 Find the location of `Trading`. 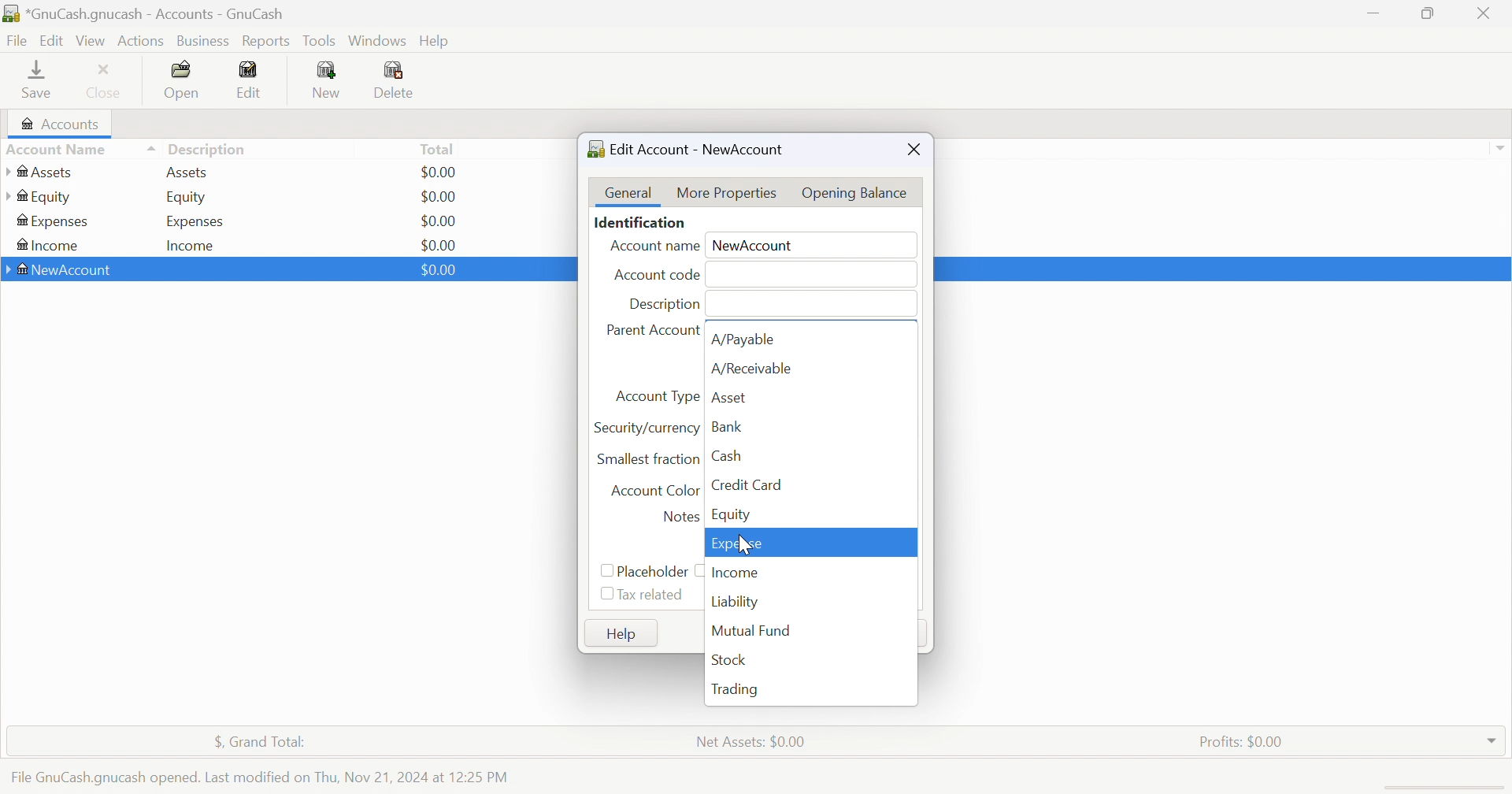

Trading is located at coordinates (738, 691).